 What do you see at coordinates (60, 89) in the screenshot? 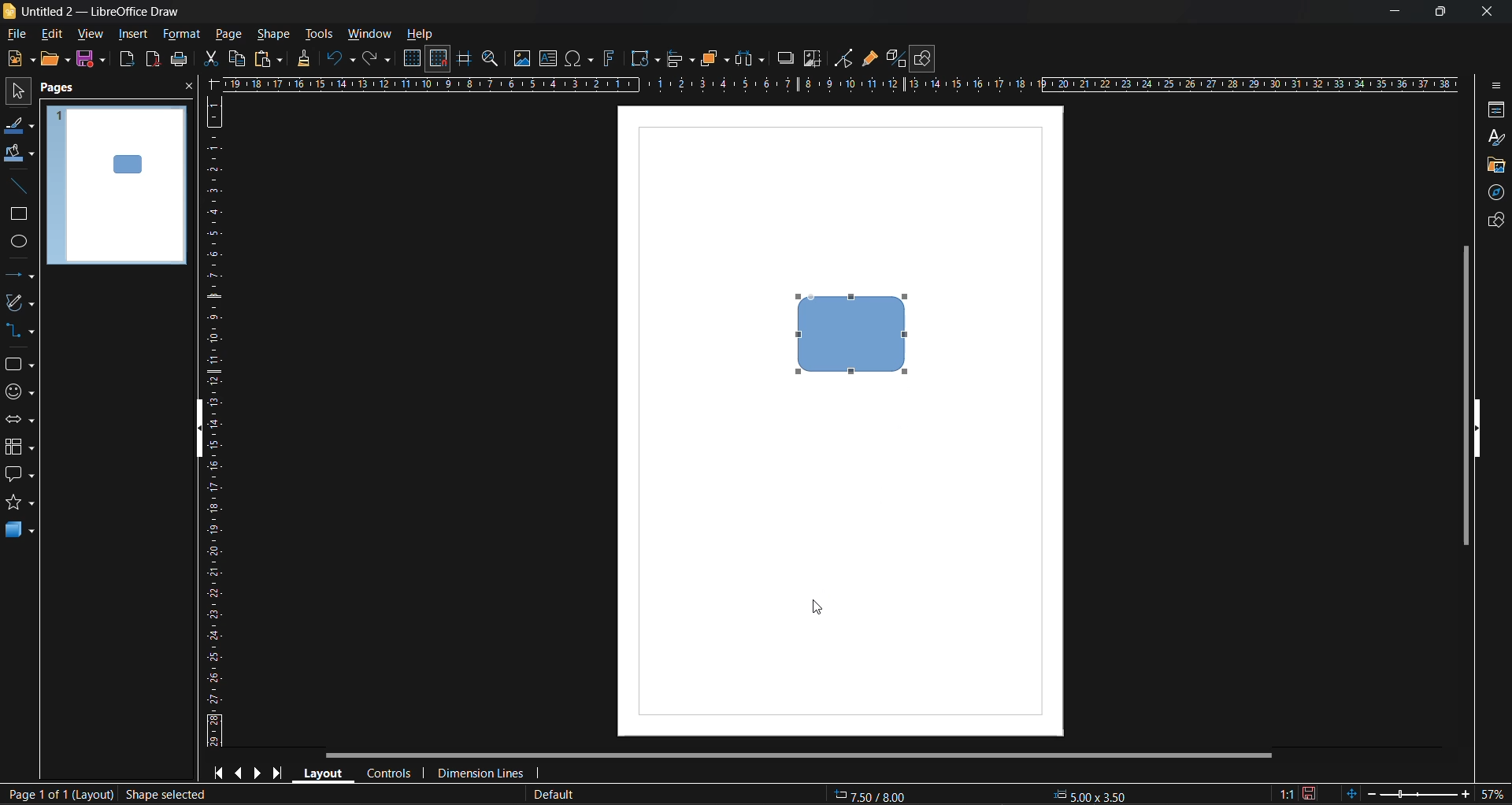
I see `pages` at bounding box center [60, 89].